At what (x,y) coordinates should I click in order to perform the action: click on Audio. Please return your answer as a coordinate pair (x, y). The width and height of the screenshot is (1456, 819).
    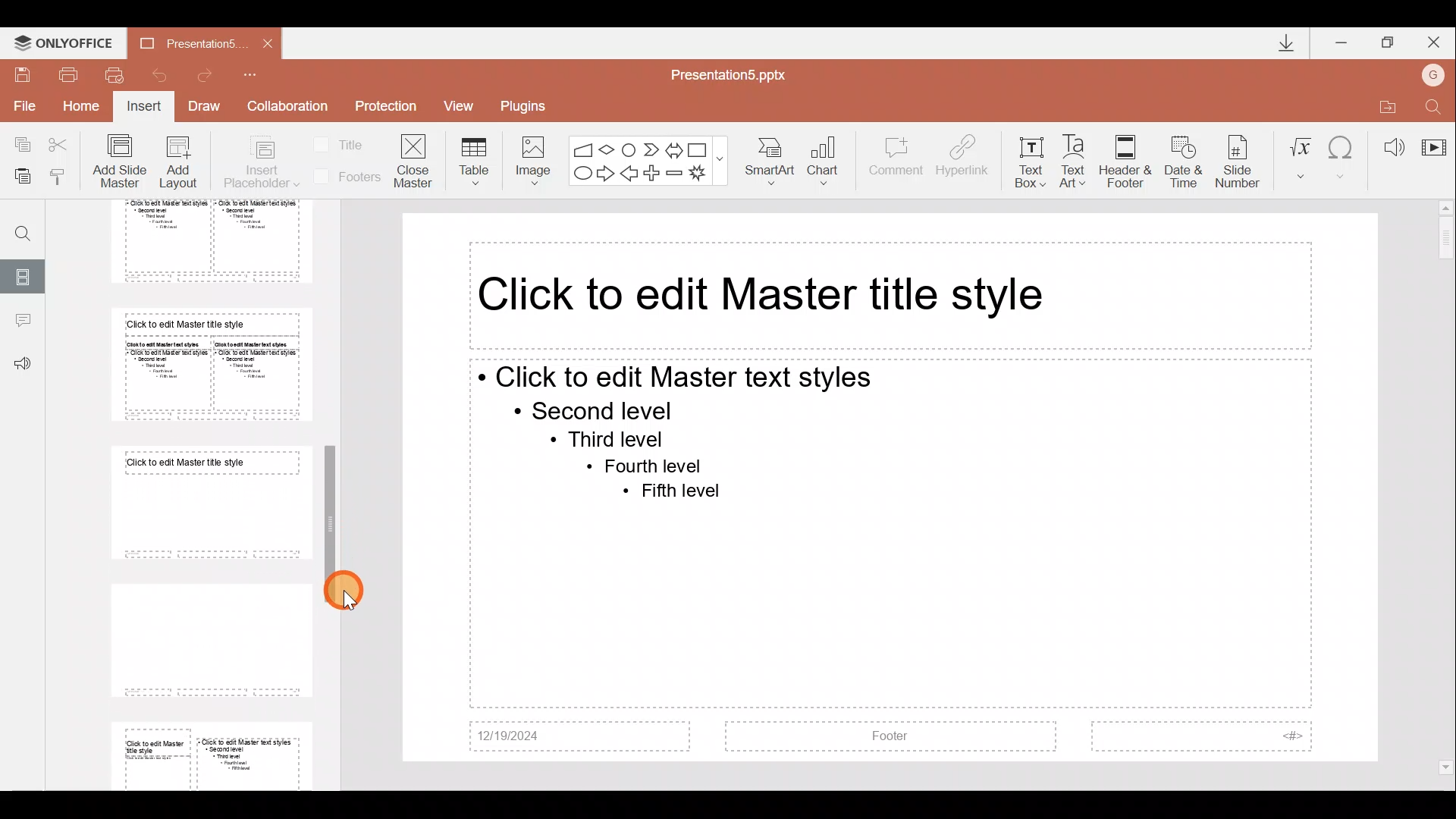
    Looking at the image, I should click on (1388, 143).